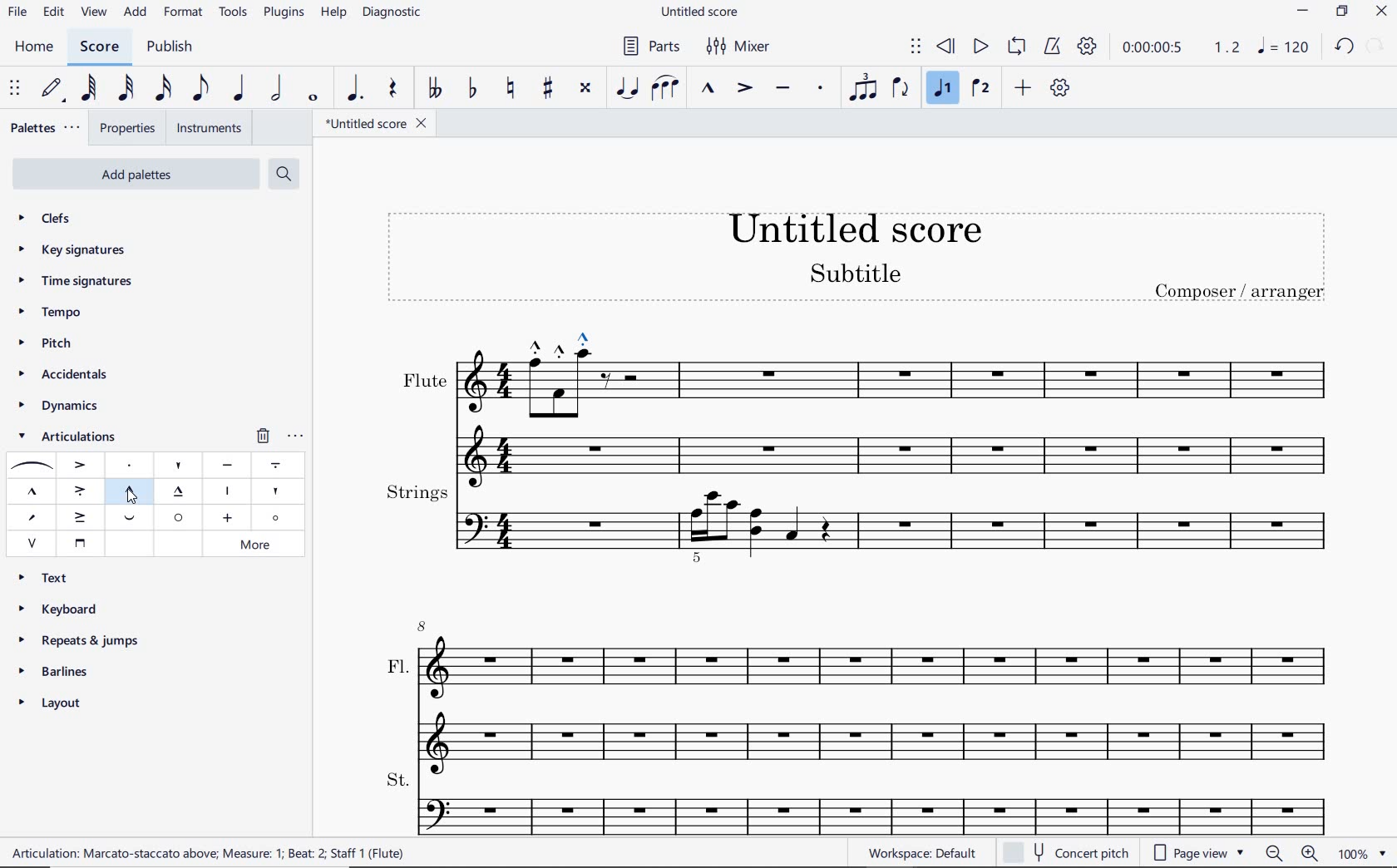 This screenshot has height=868, width=1397. I want to click on text, so click(50, 576).